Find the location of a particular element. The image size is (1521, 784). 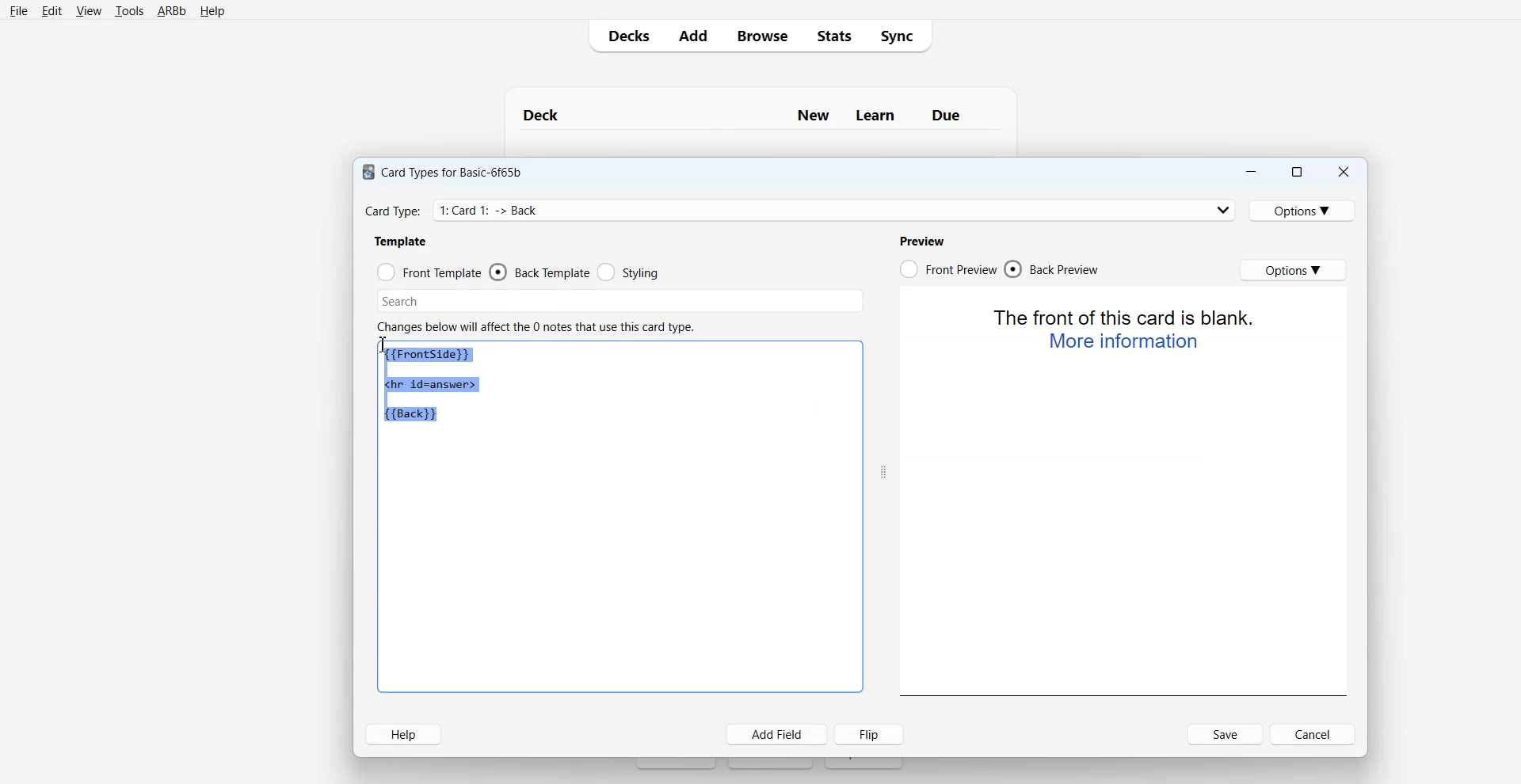

Text 3 is located at coordinates (539, 324).